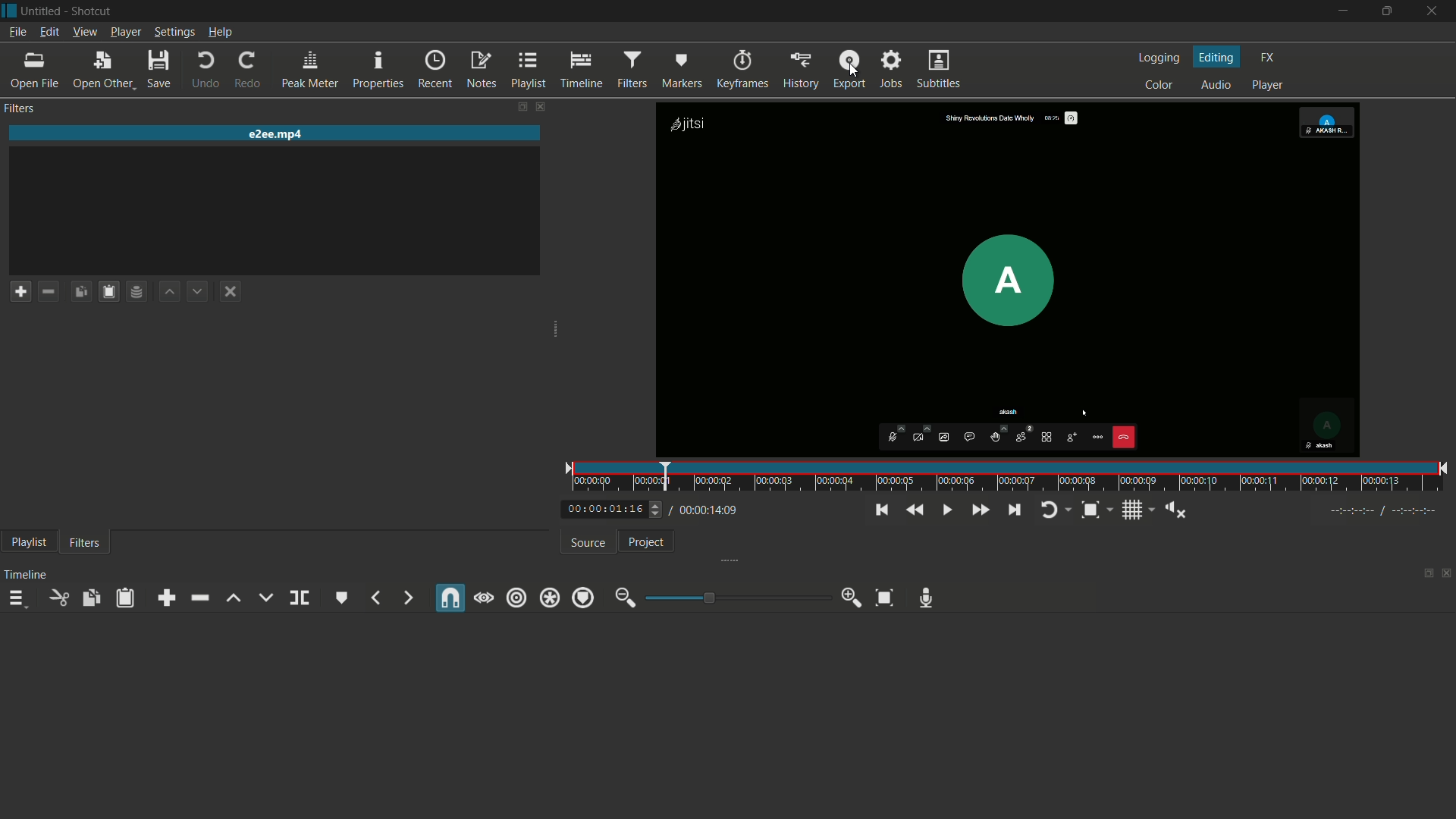  What do you see at coordinates (30, 542) in the screenshot?
I see `playlist` at bounding box center [30, 542].